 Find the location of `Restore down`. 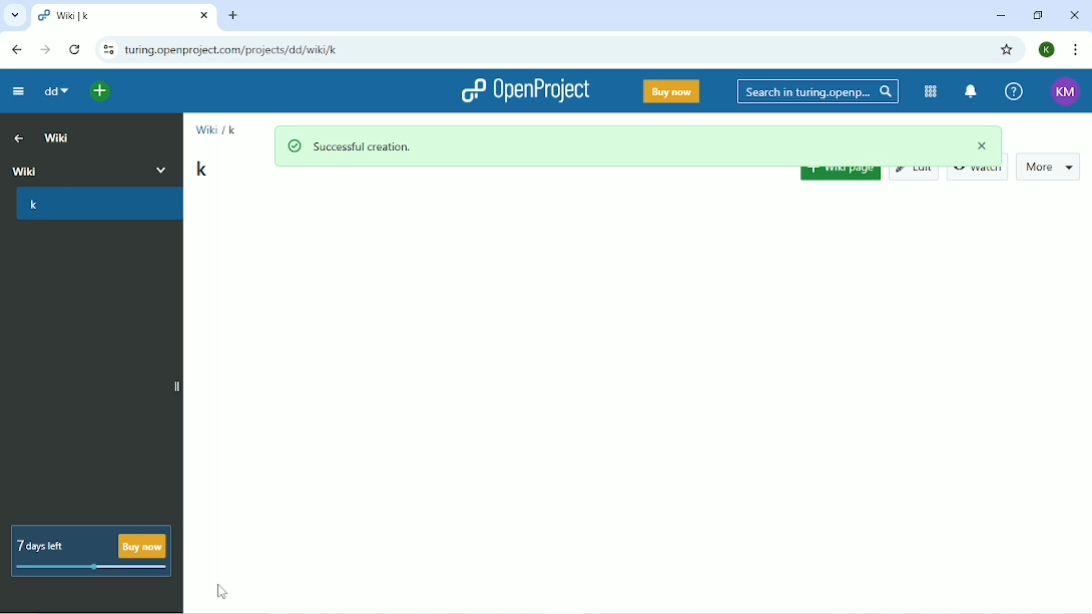

Restore down is located at coordinates (1036, 15).